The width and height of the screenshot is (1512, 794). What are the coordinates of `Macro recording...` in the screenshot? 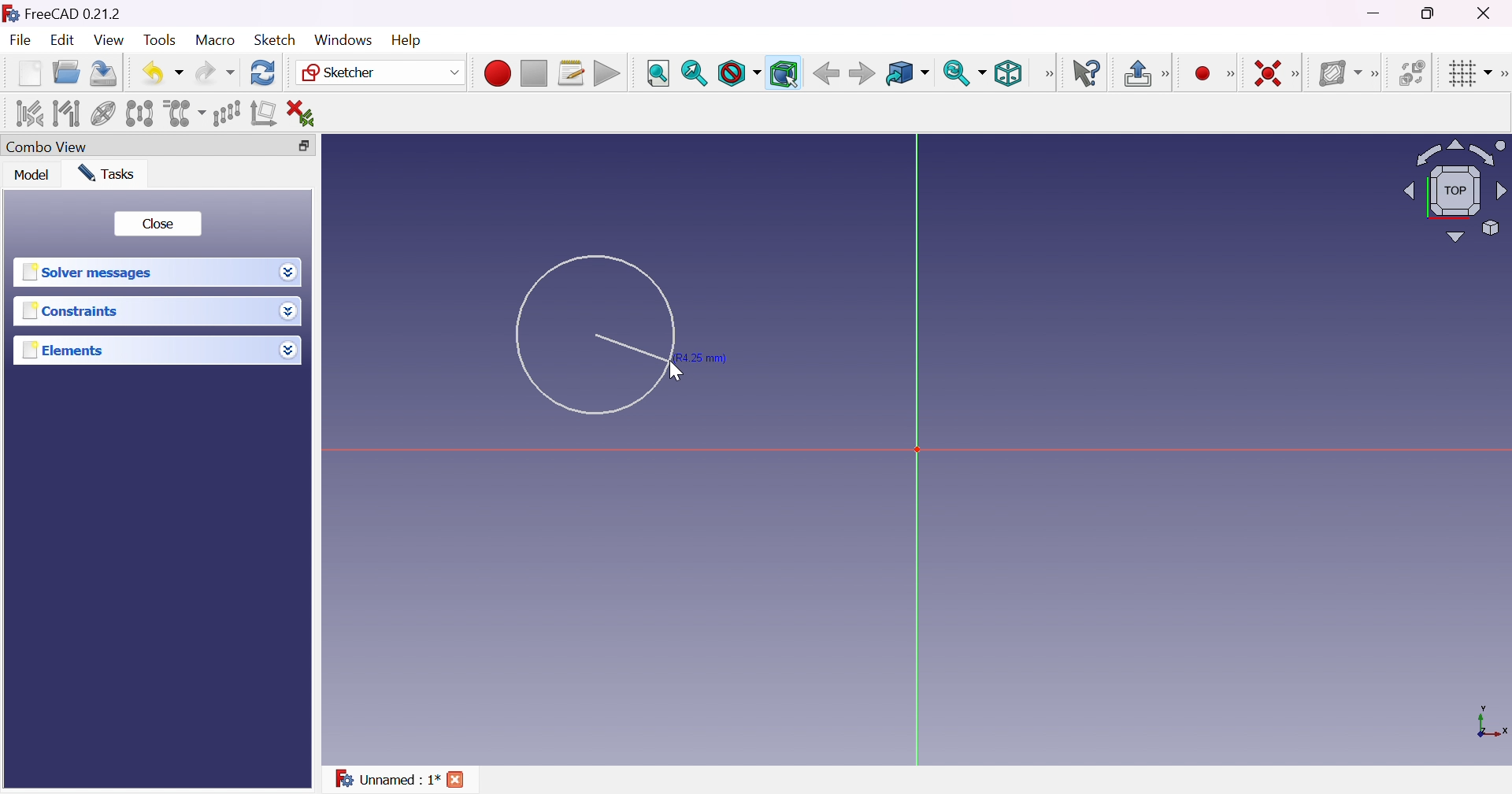 It's located at (497, 74).